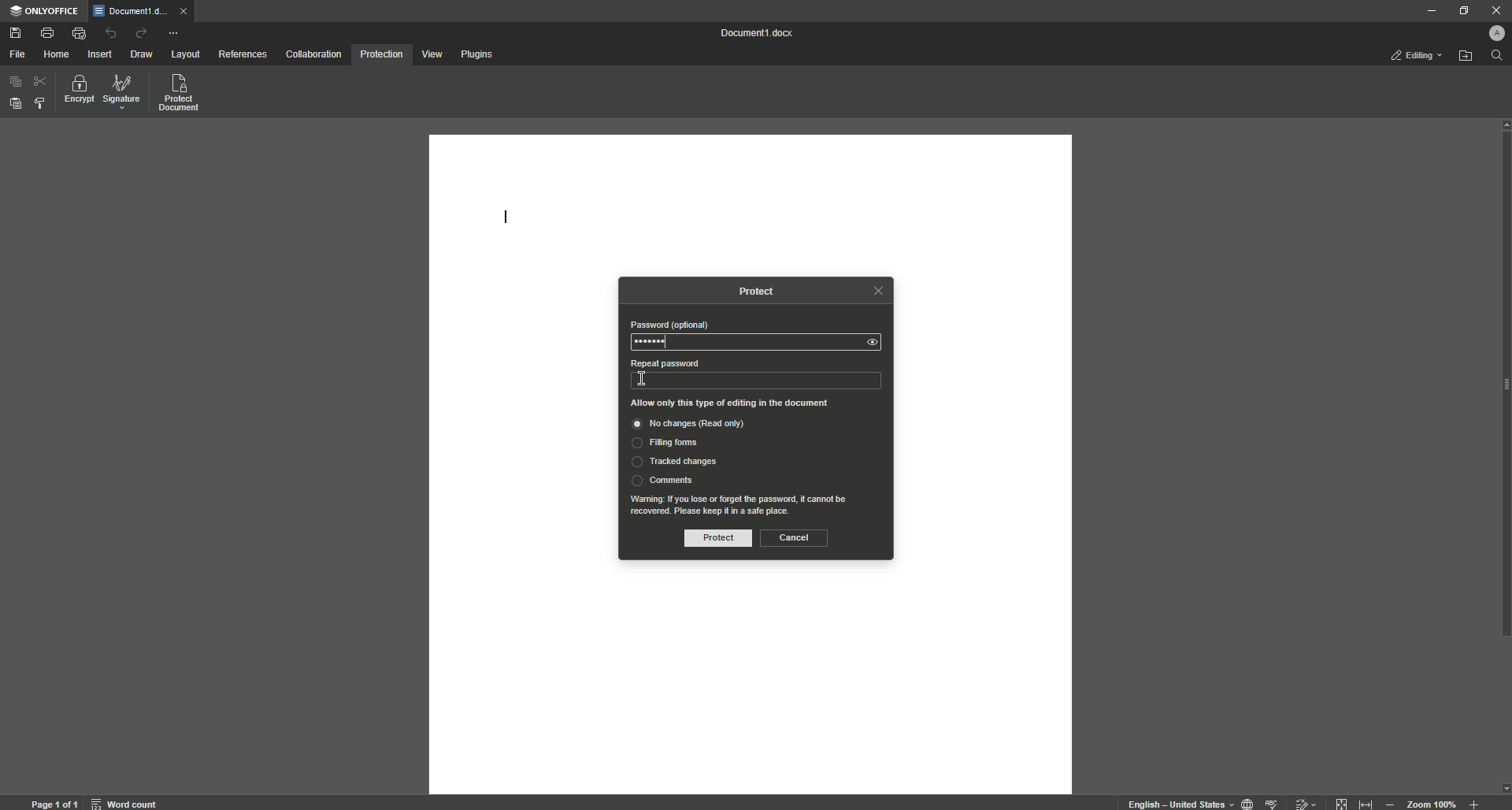 This screenshot has height=810, width=1512. I want to click on References, so click(242, 54).